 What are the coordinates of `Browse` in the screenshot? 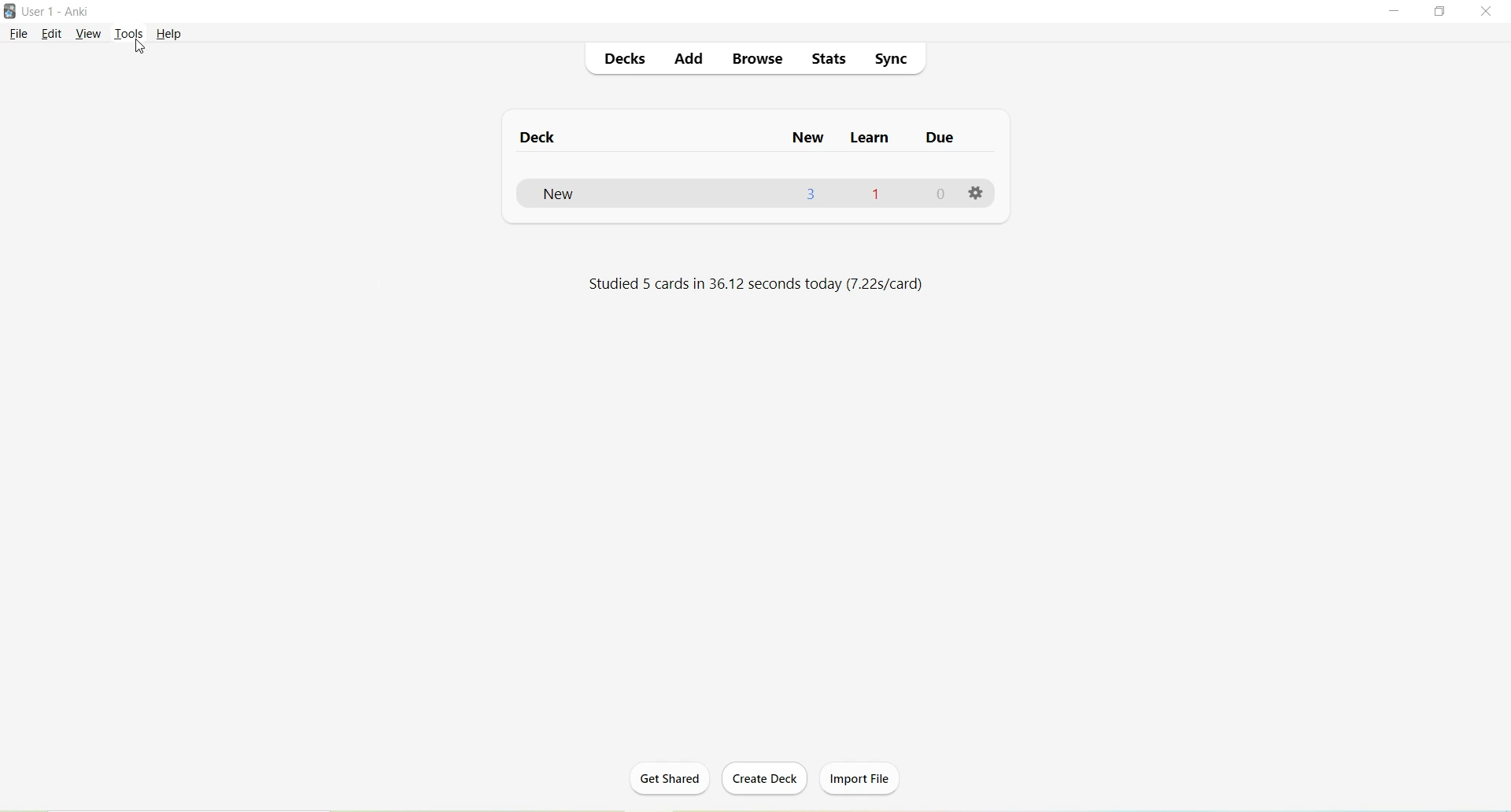 It's located at (759, 59).